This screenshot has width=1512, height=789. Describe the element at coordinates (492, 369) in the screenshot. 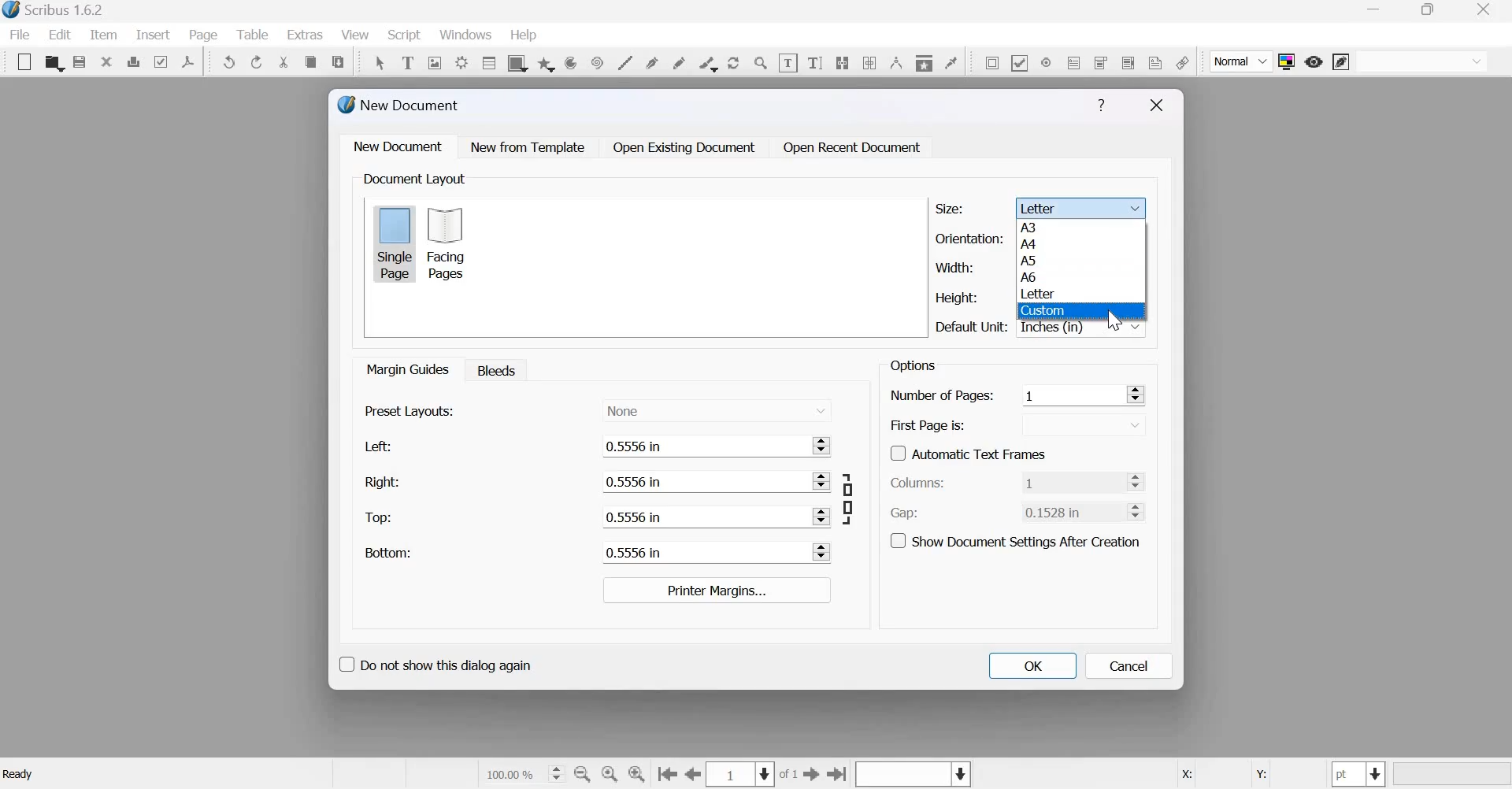

I see `Bleeds` at that location.